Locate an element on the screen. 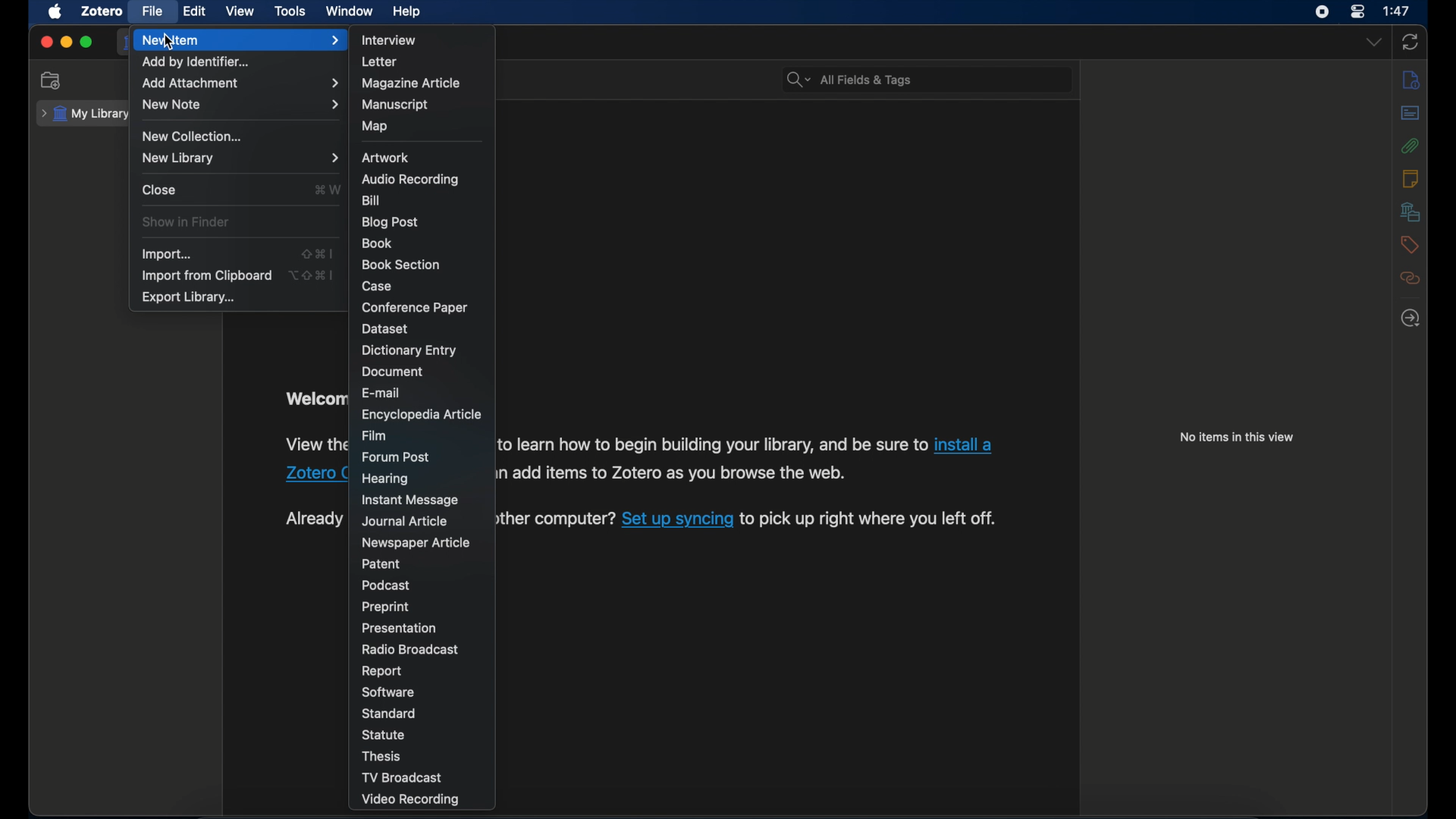 The height and width of the screenshot is (819, 1456). apple is located at coordinates (54, 11).